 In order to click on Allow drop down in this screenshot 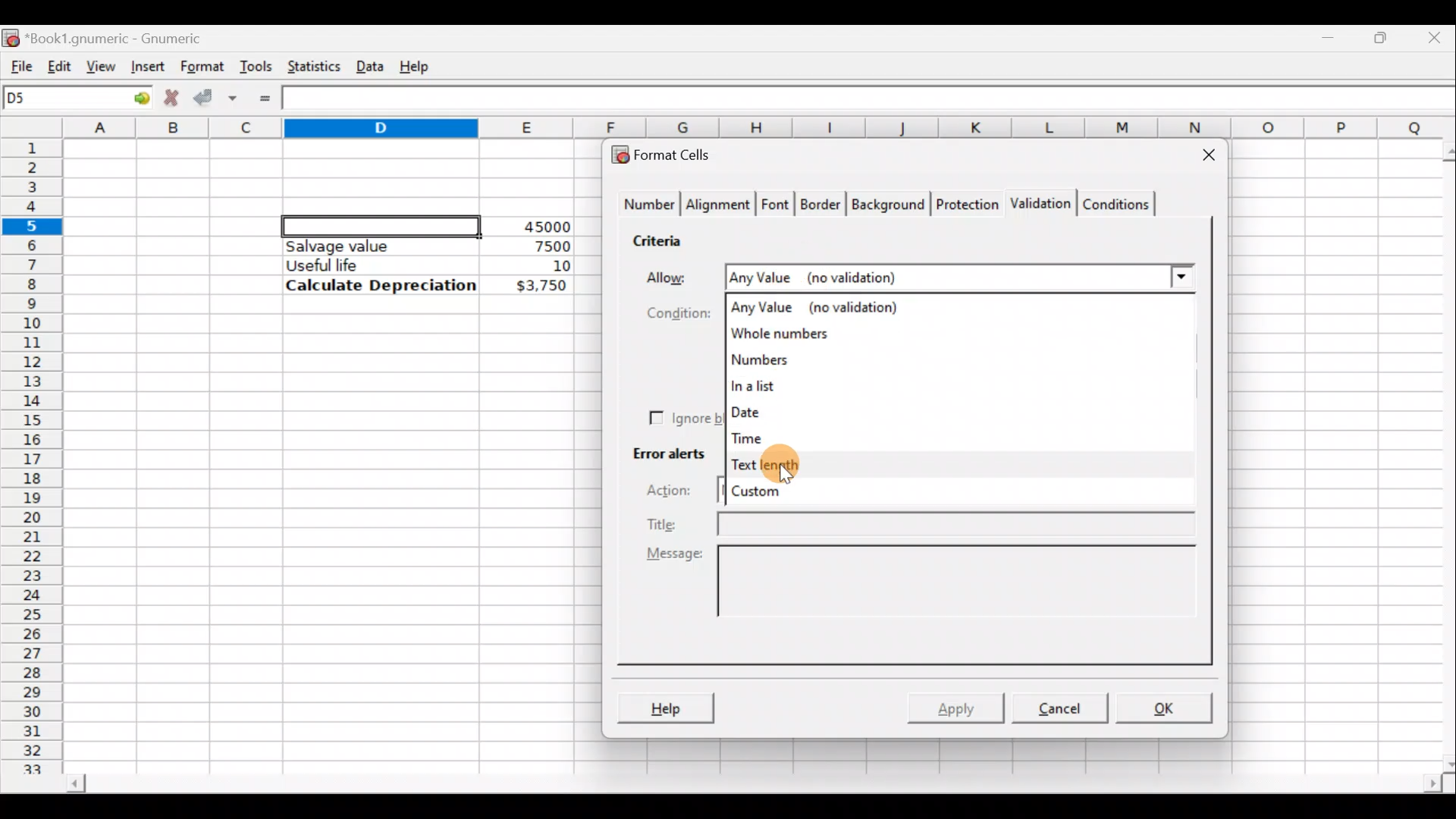, I will do `click(1180, 275)`.